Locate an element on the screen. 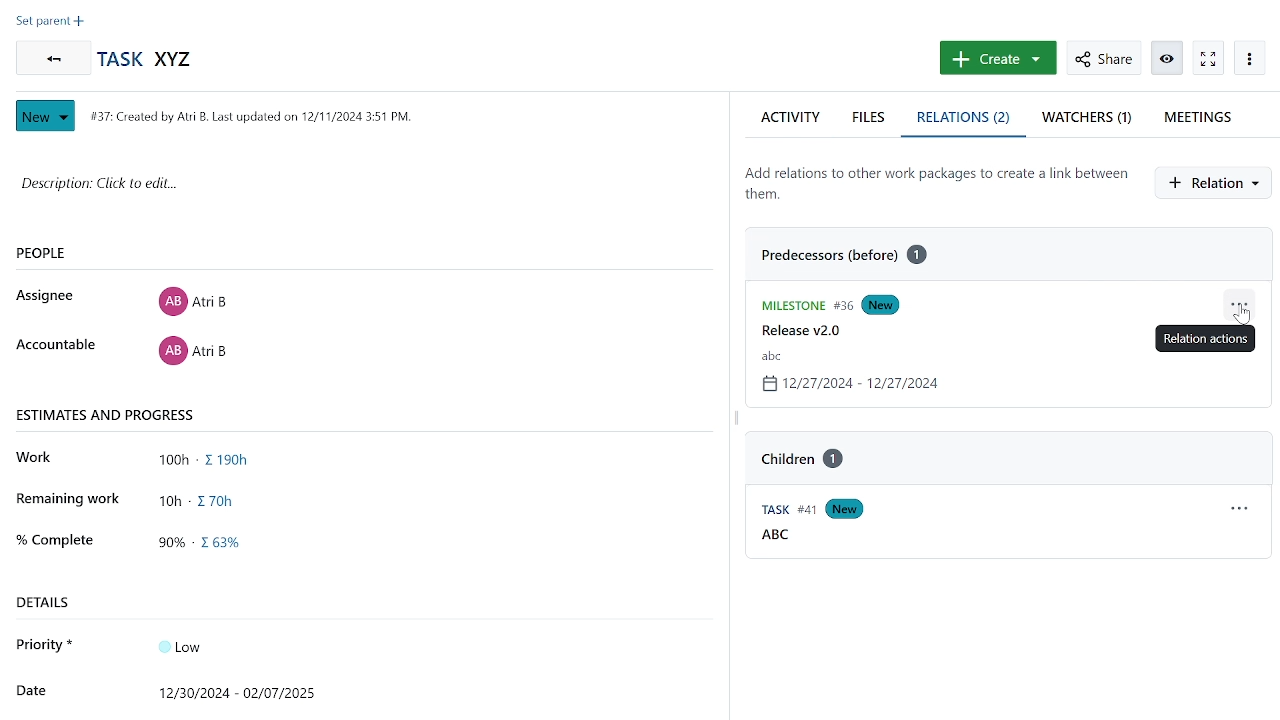 The height and width of the screenshot is (720, 1280). release v2.0 is located at coordinates (798, 331).